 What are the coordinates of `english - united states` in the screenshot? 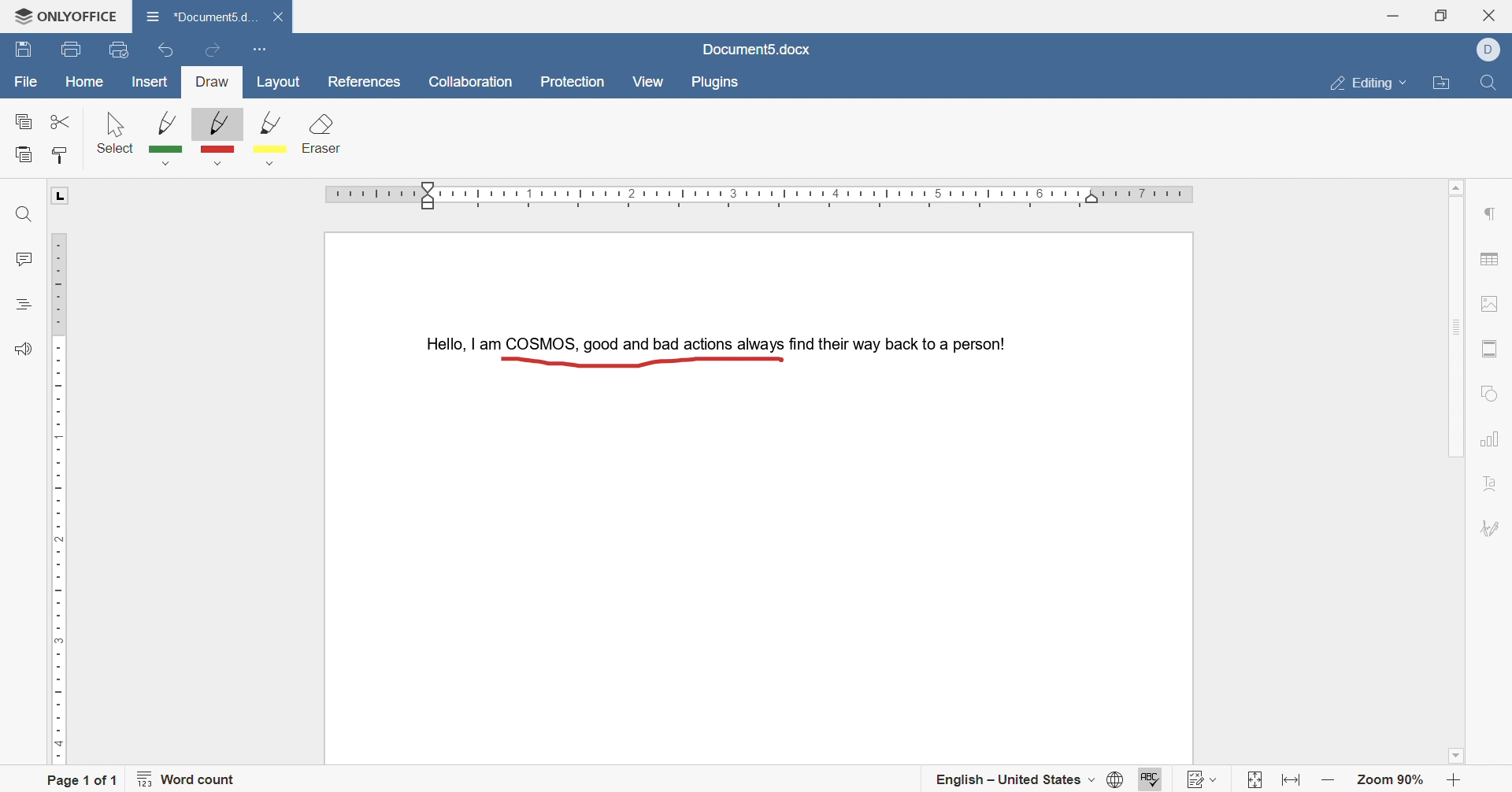 It's located at (1014, 783).